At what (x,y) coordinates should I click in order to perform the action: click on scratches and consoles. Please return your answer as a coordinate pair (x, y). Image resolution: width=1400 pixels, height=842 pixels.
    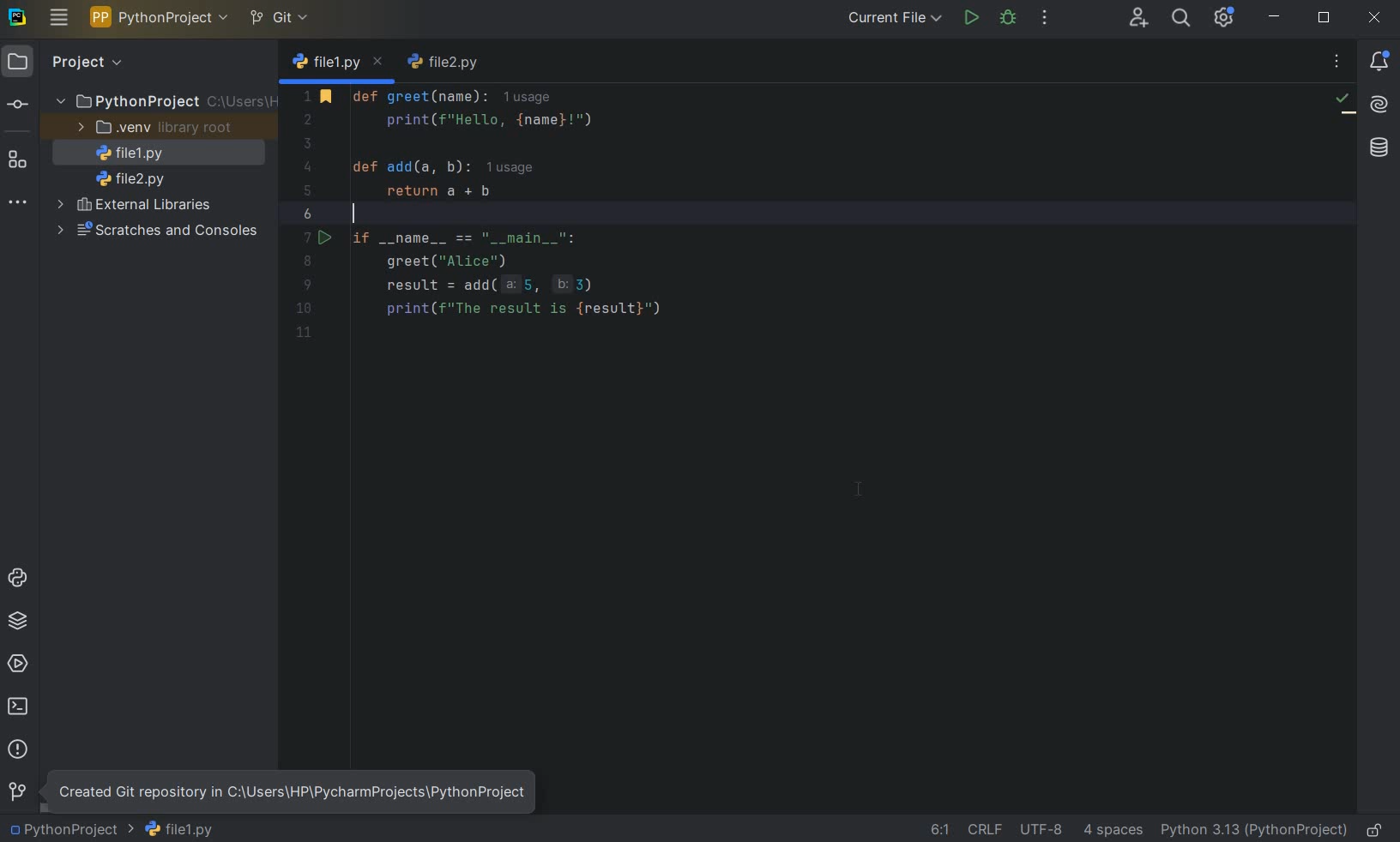
    Looking at the image, I should click on (155, 231).